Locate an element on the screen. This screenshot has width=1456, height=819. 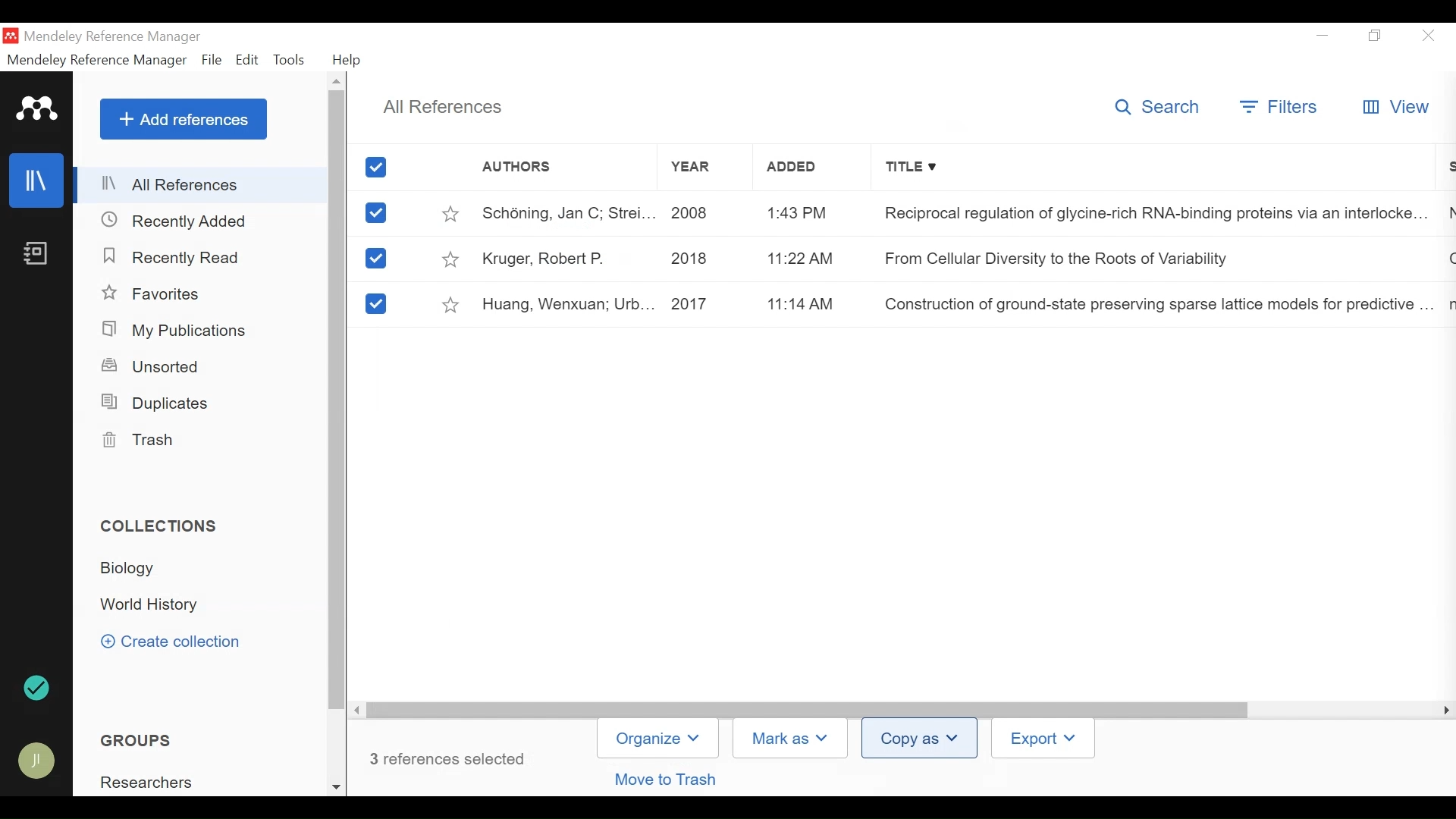
Collection is located at coordinates (152, 781).